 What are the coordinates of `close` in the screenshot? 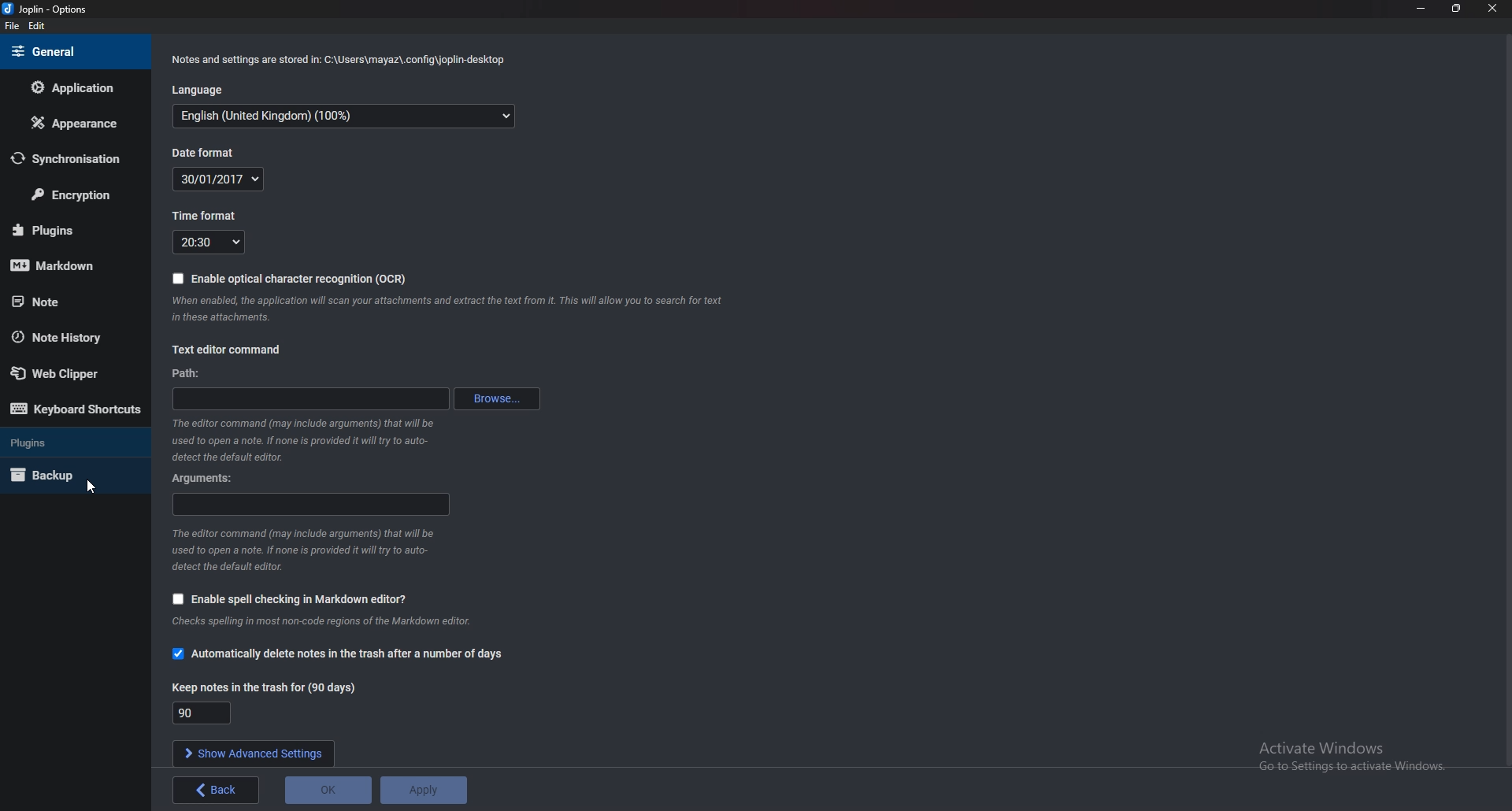 It's located at (1491, 8).